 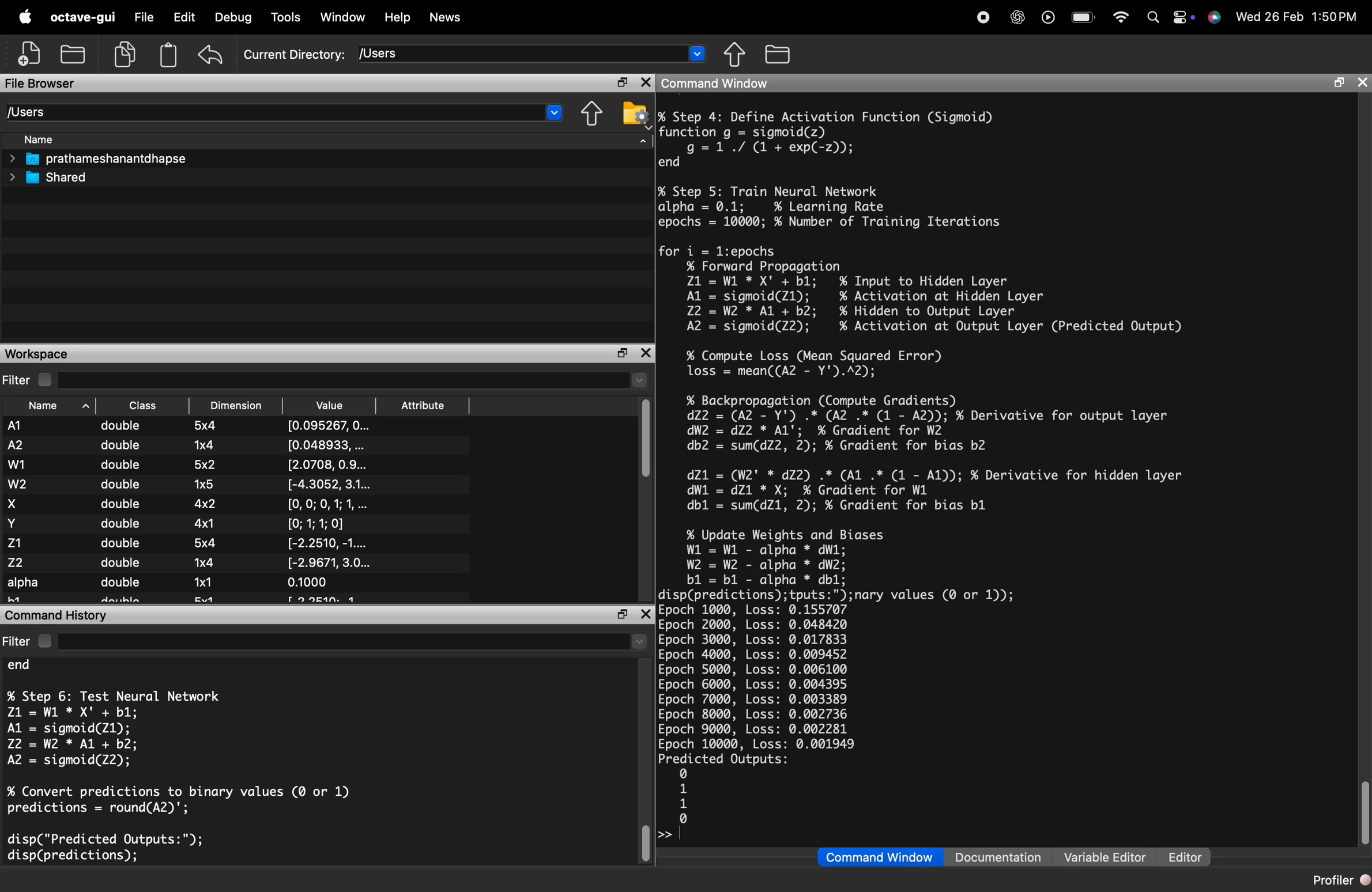 What do you see at coordinates (14, 426) in the screenshot?
I see `Al` at bounding box center [14, 426].